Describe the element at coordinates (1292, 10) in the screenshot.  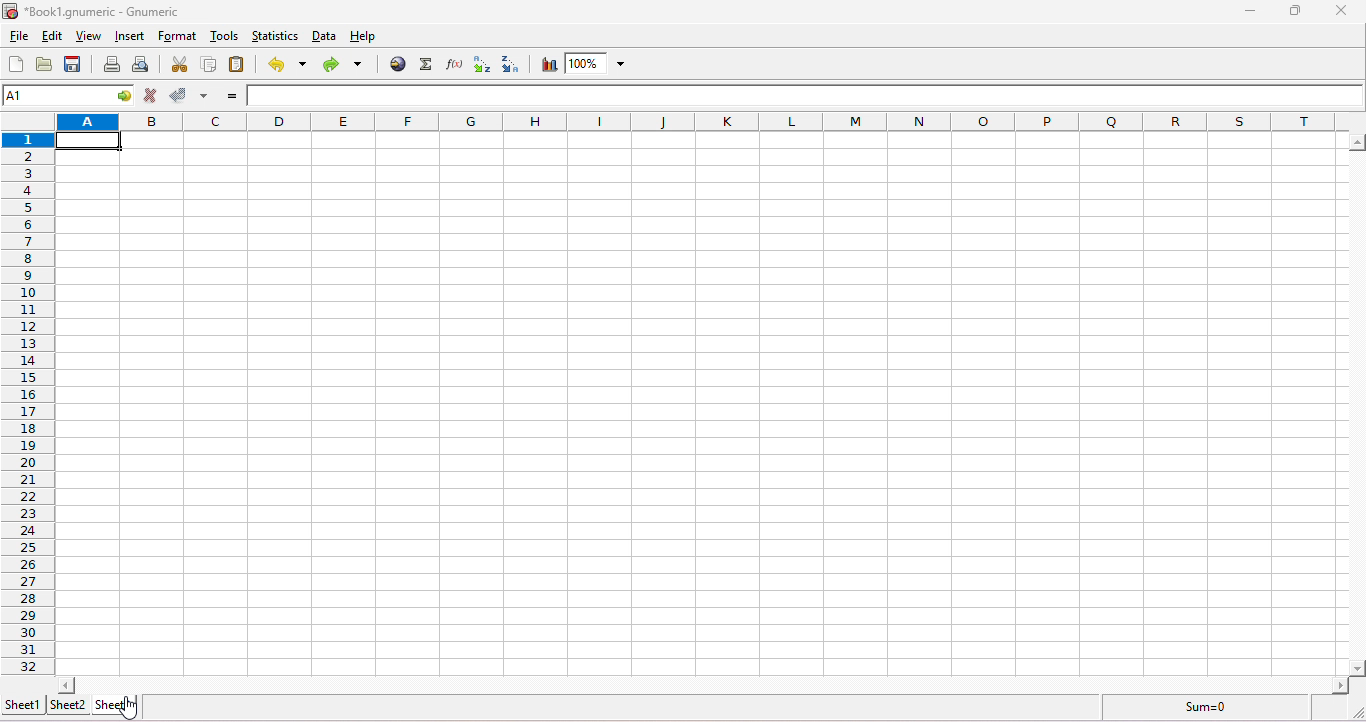
I see `maximize` at that location.